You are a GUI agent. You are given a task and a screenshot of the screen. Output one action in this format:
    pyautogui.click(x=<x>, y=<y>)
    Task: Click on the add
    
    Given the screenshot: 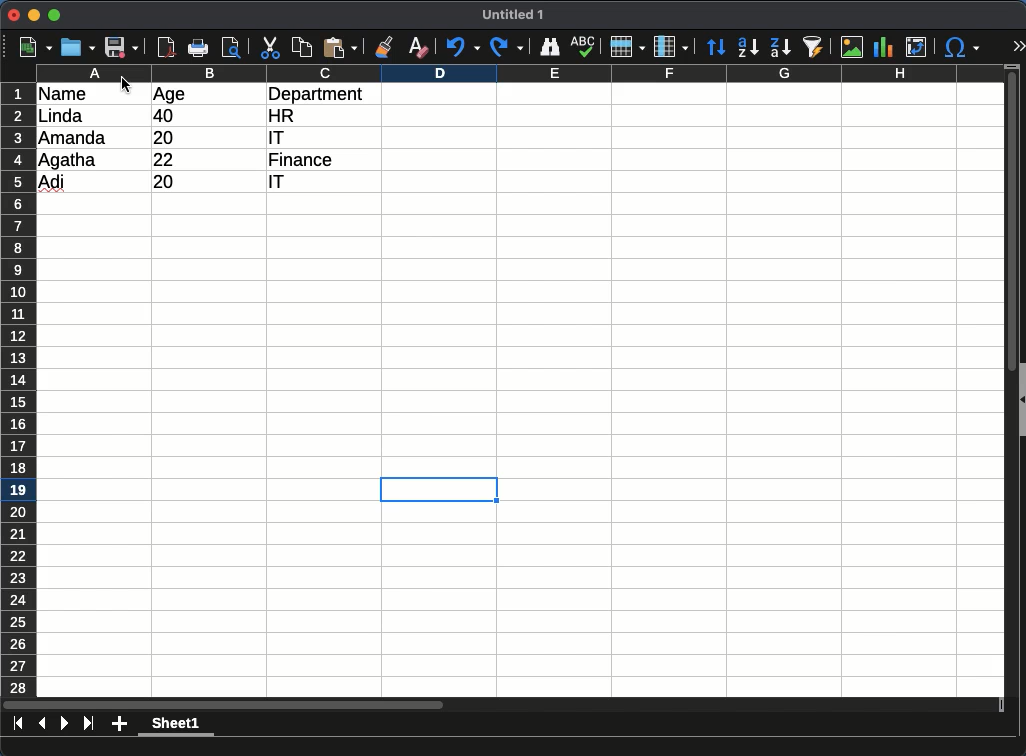 What is the action you would take?
    pyautogui.click(x=119, y=725)
    